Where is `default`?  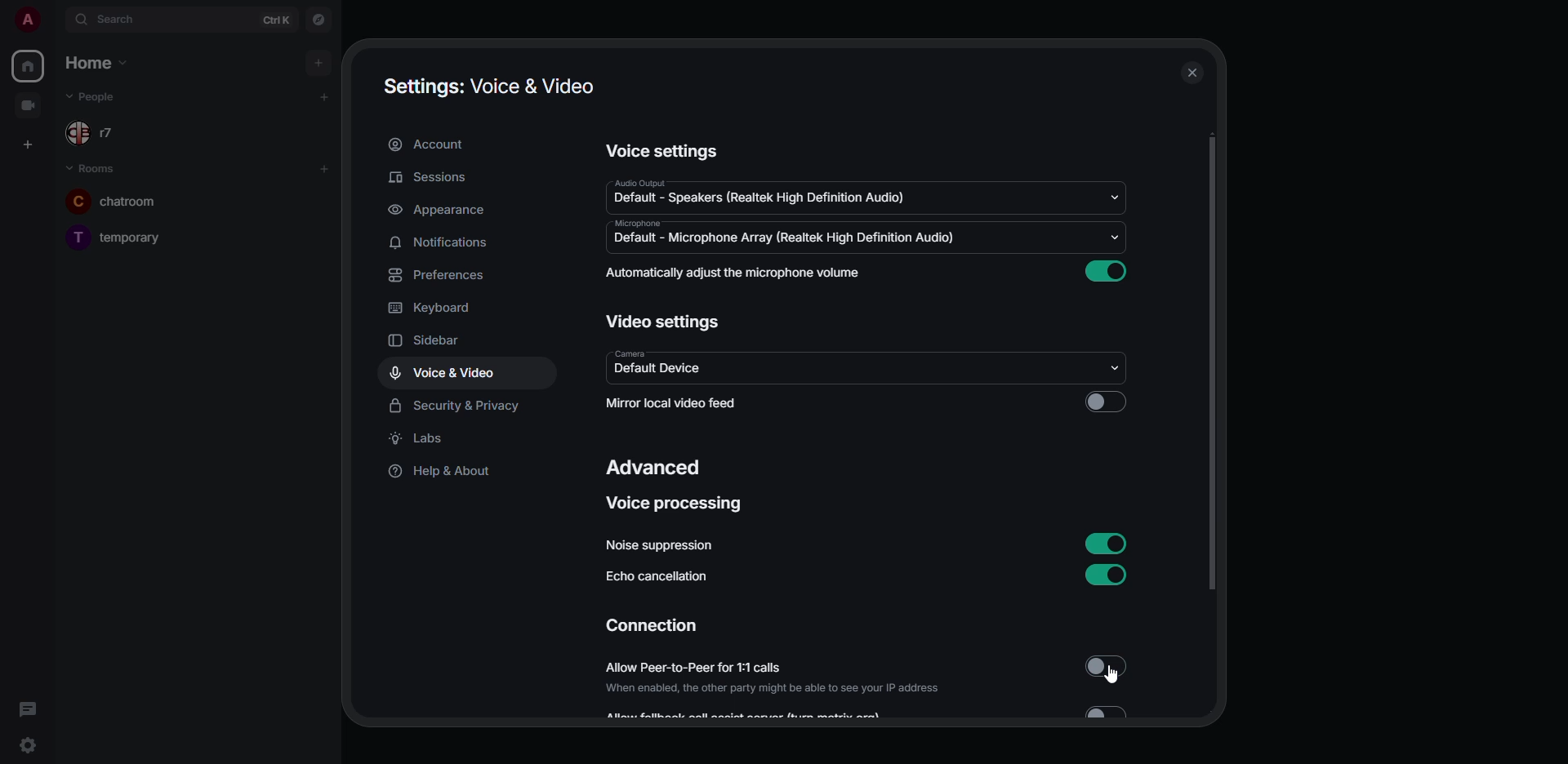
default is located at coordinates (794, 239).